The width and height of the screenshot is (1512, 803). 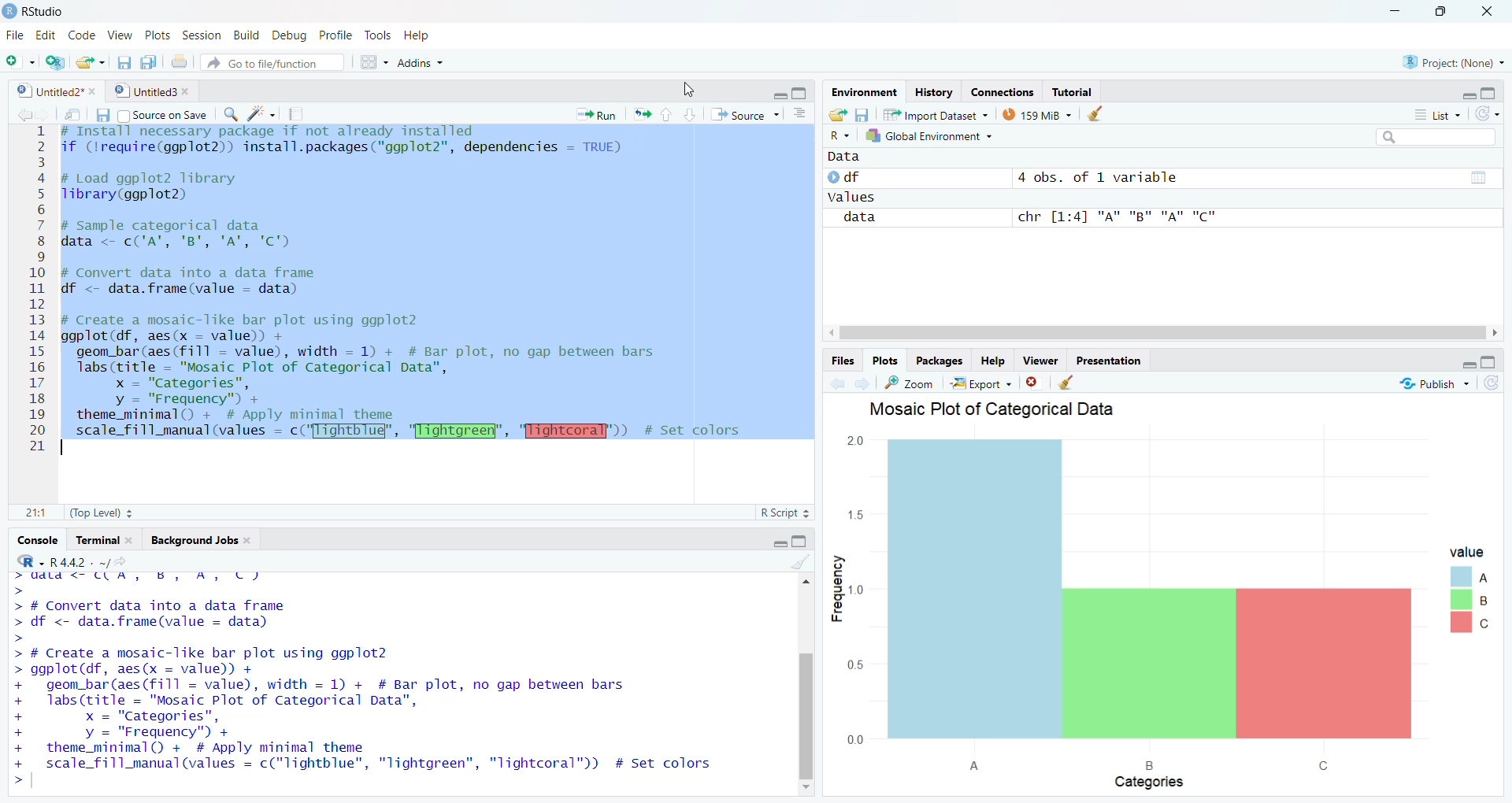 I want to click on Background Jobs, so click(x=200, y=541).